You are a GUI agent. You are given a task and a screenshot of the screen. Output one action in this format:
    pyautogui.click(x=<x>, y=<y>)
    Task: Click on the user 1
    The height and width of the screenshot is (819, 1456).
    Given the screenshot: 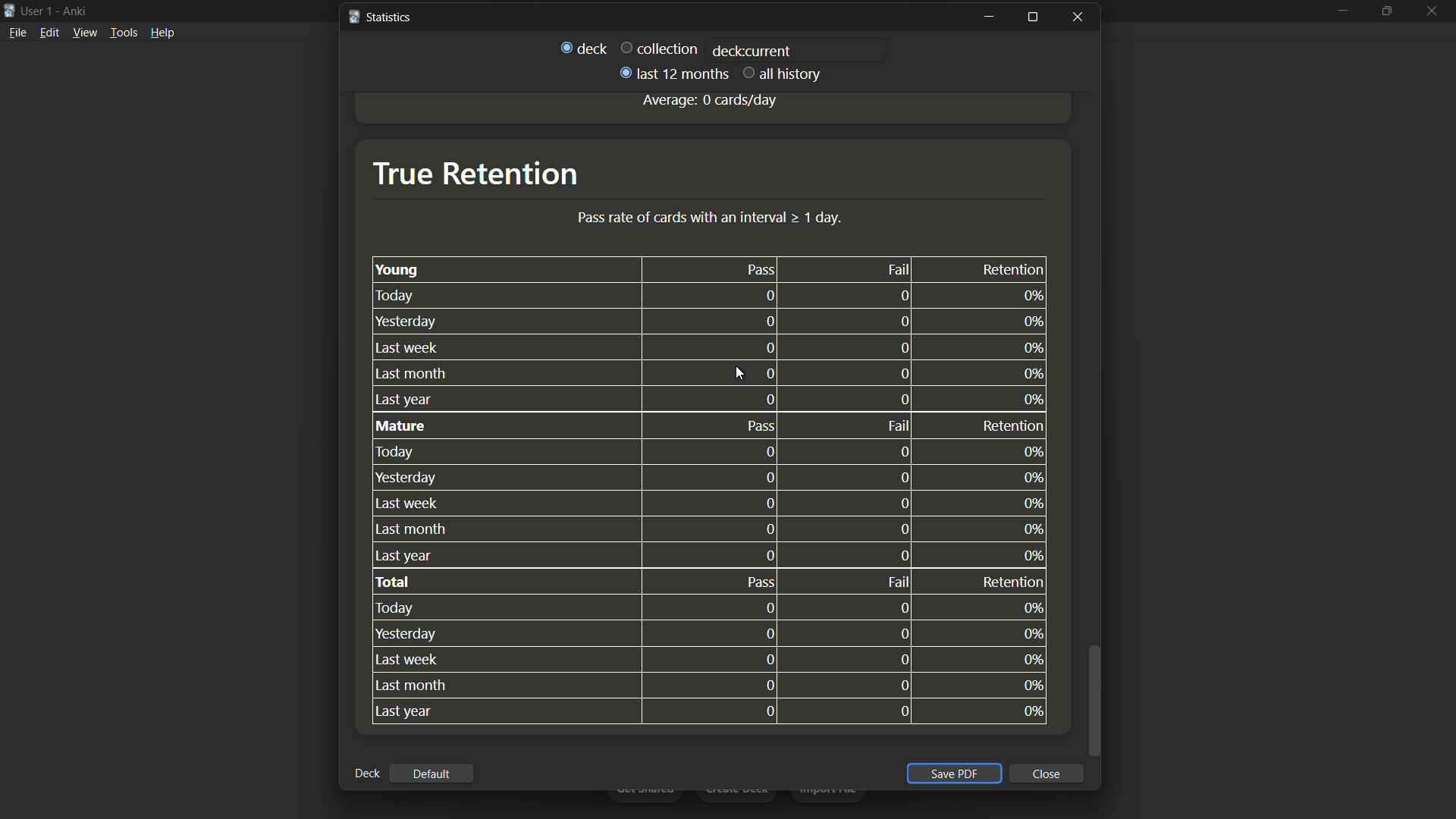 What is the action you would take?
    pyautogui.click(x=37, y=11)
    